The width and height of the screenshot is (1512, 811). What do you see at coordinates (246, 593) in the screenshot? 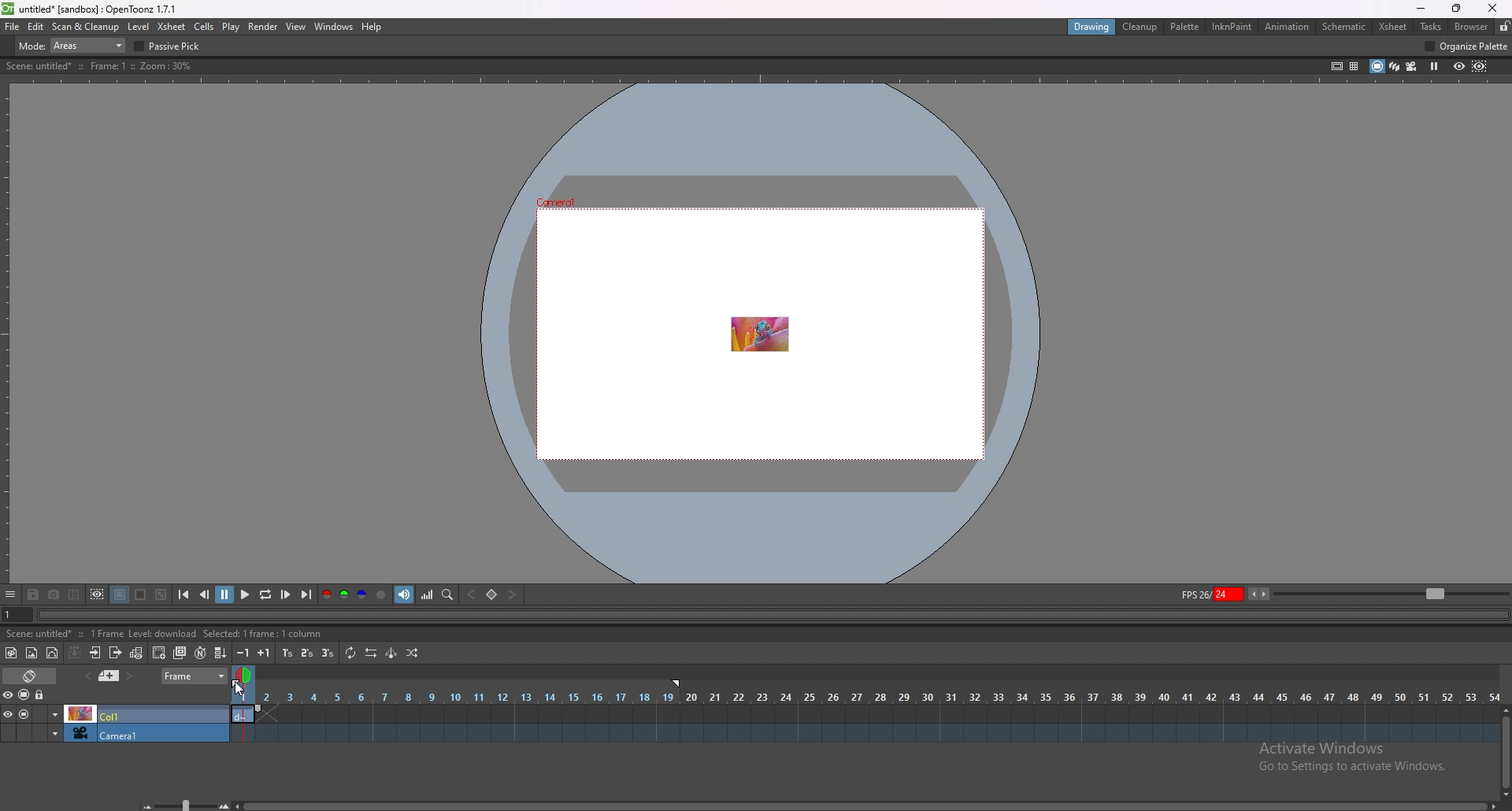
I see `play` at bounding box center [246, 593].